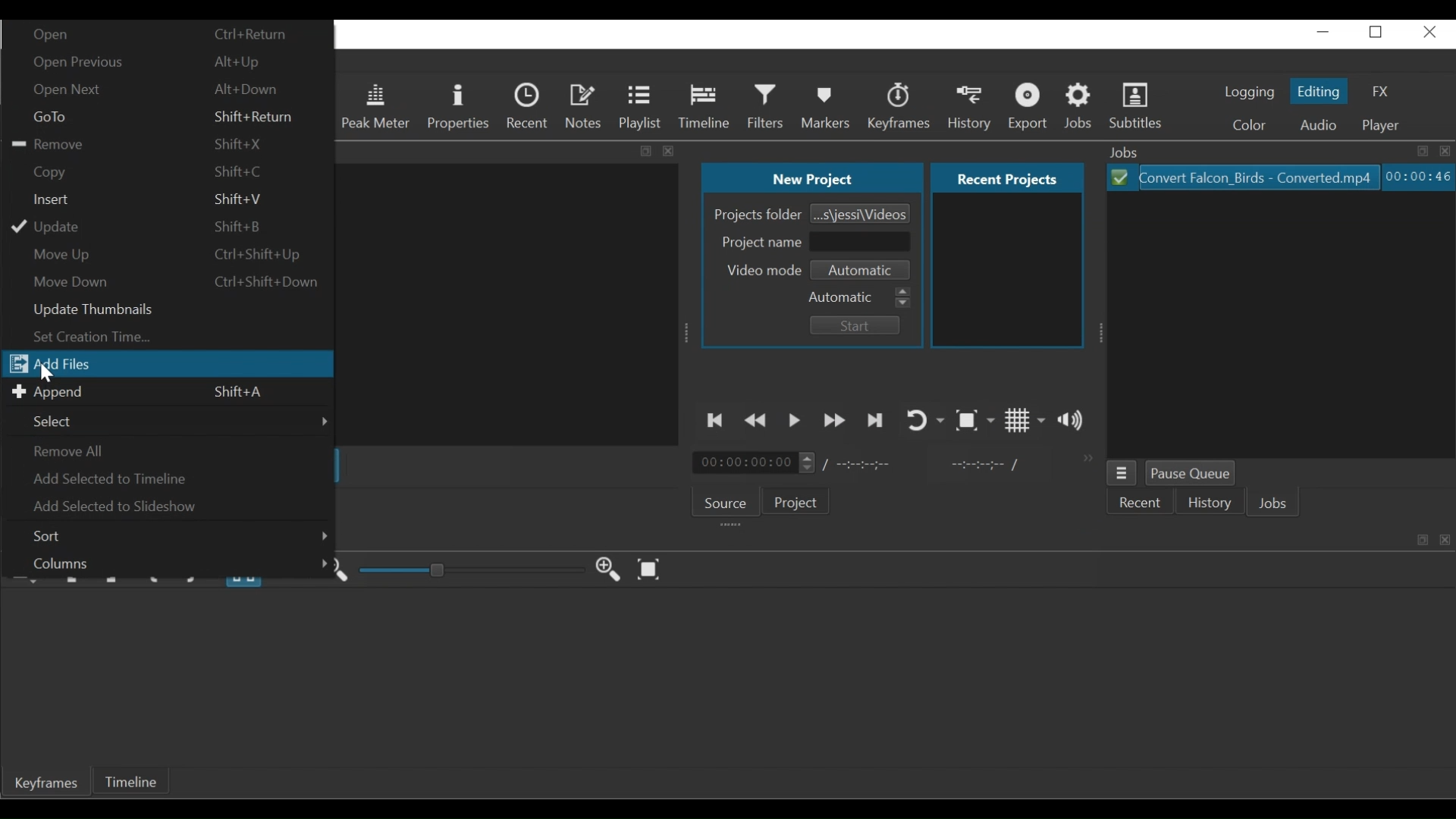  Describe the element at coordinates (167, 89) in the screenshot. I see `Open Next` at that location.